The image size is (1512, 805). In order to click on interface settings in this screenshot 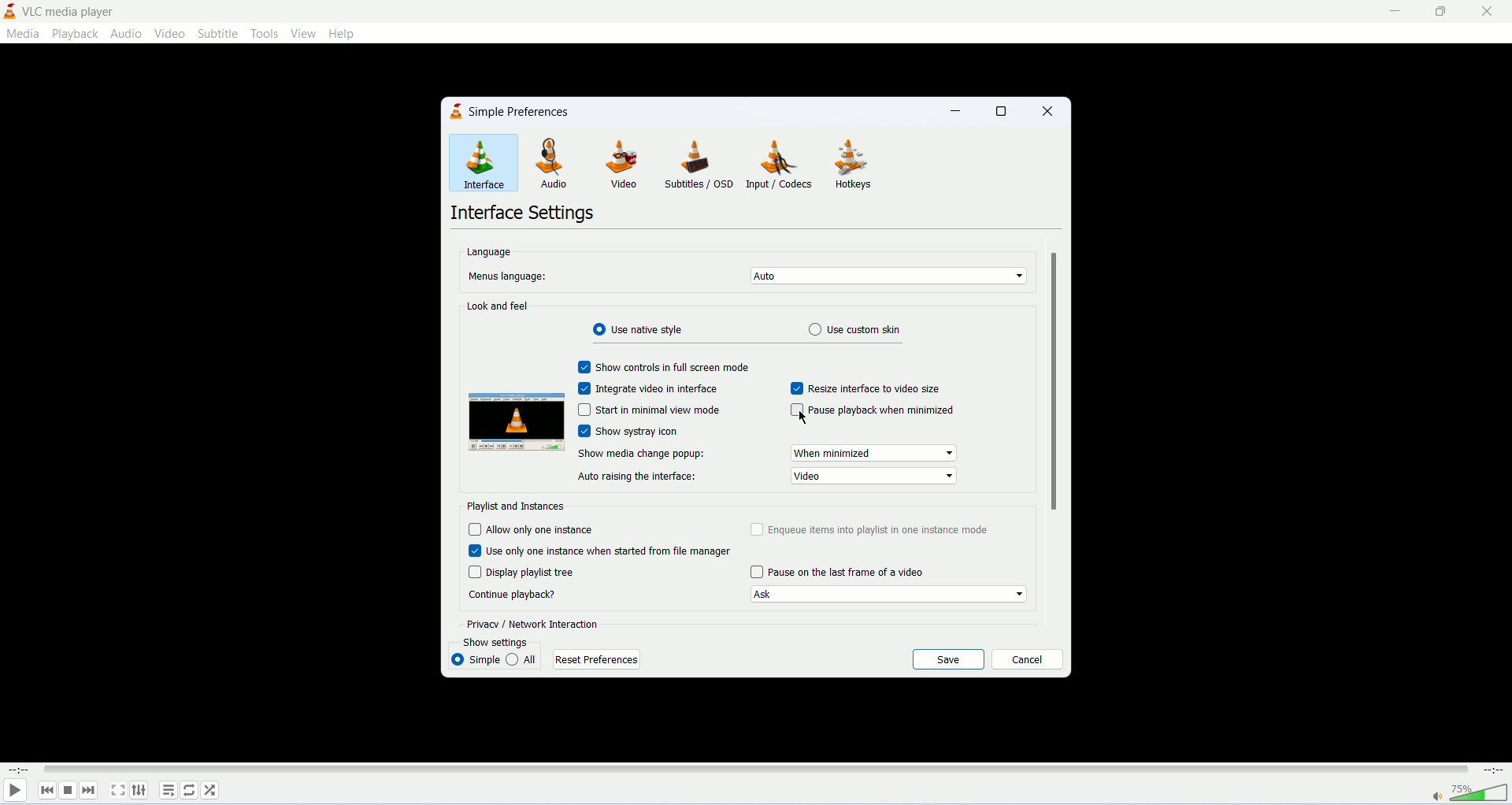, I will do `click(521, 216)`.